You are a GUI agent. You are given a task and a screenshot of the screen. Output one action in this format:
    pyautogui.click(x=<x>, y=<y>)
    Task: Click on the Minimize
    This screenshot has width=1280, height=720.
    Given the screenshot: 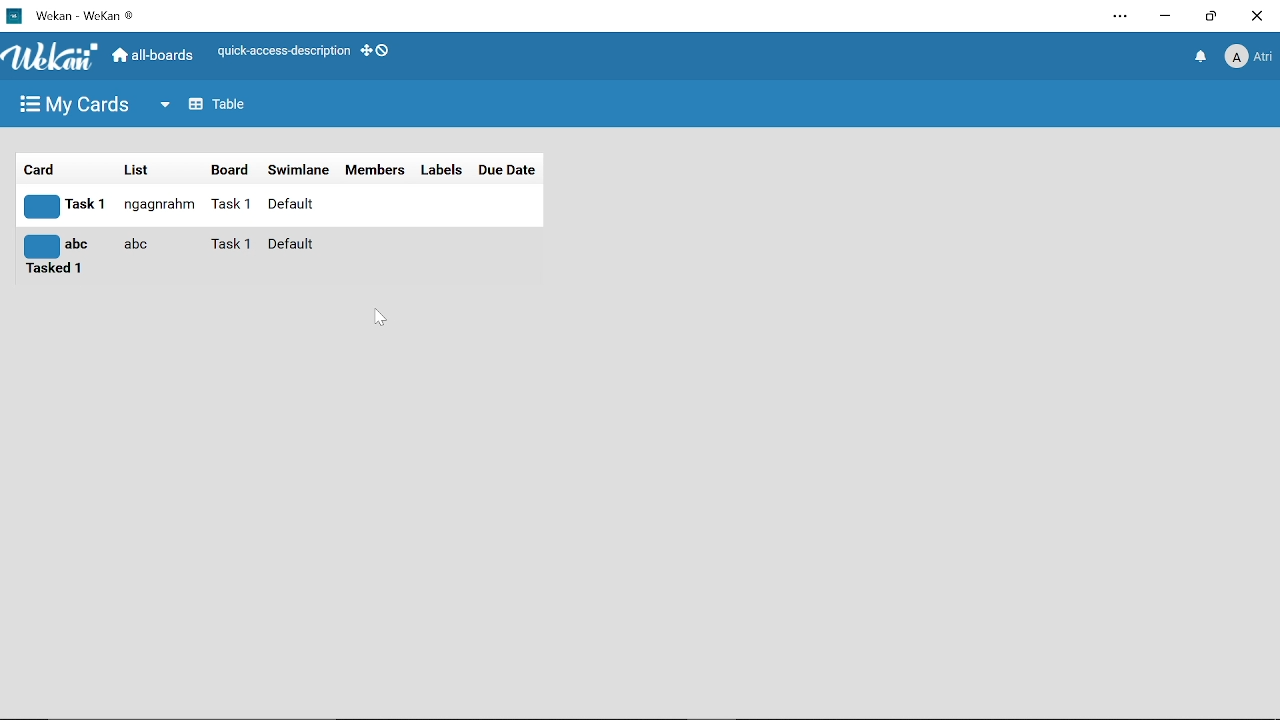 What is the action you would take?
    pyautogui.click(x=1165, y=19)
    